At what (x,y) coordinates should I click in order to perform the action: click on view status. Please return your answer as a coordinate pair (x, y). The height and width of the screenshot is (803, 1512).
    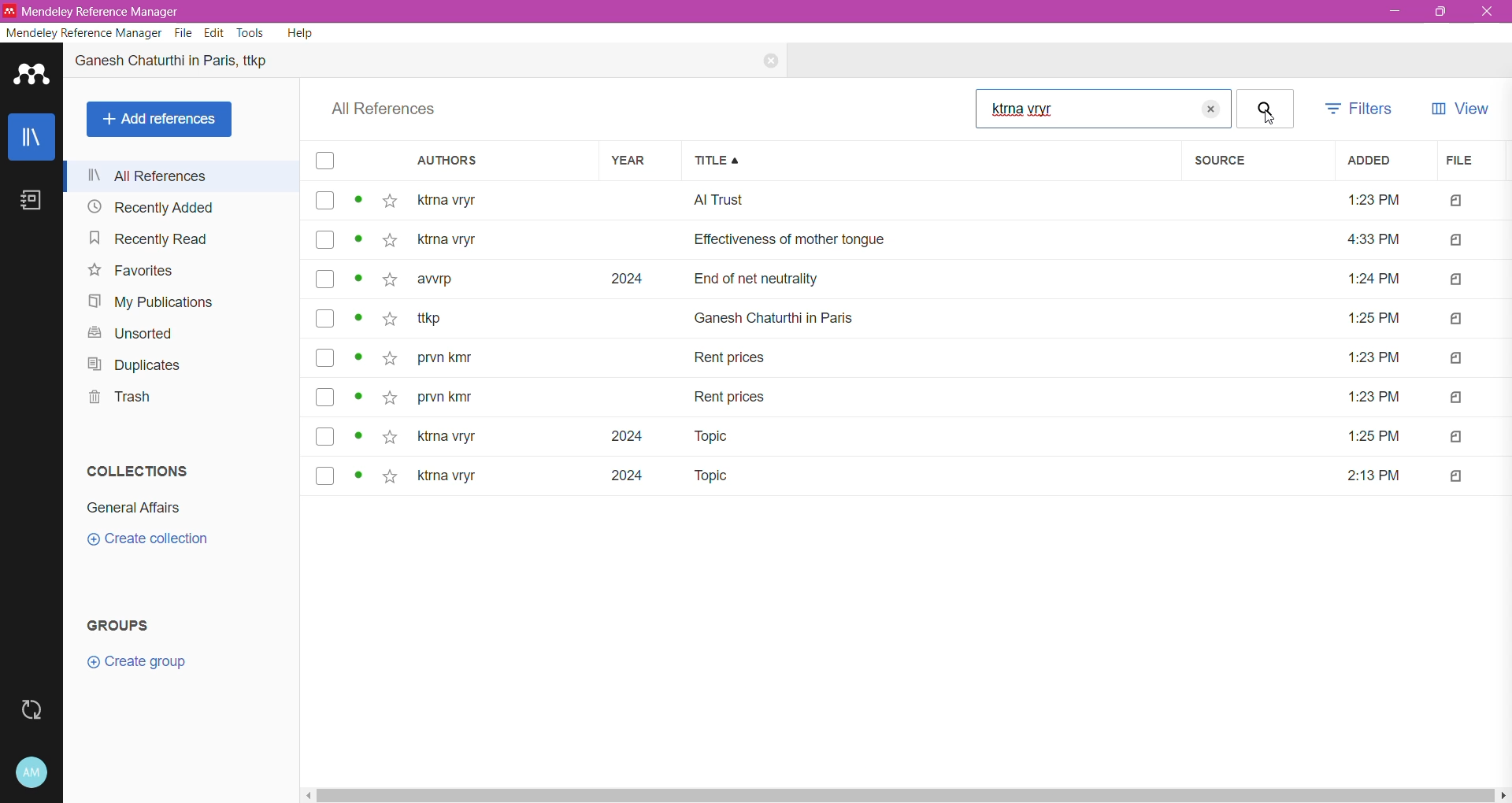
    Looking at the image, I should click on (358, 398).